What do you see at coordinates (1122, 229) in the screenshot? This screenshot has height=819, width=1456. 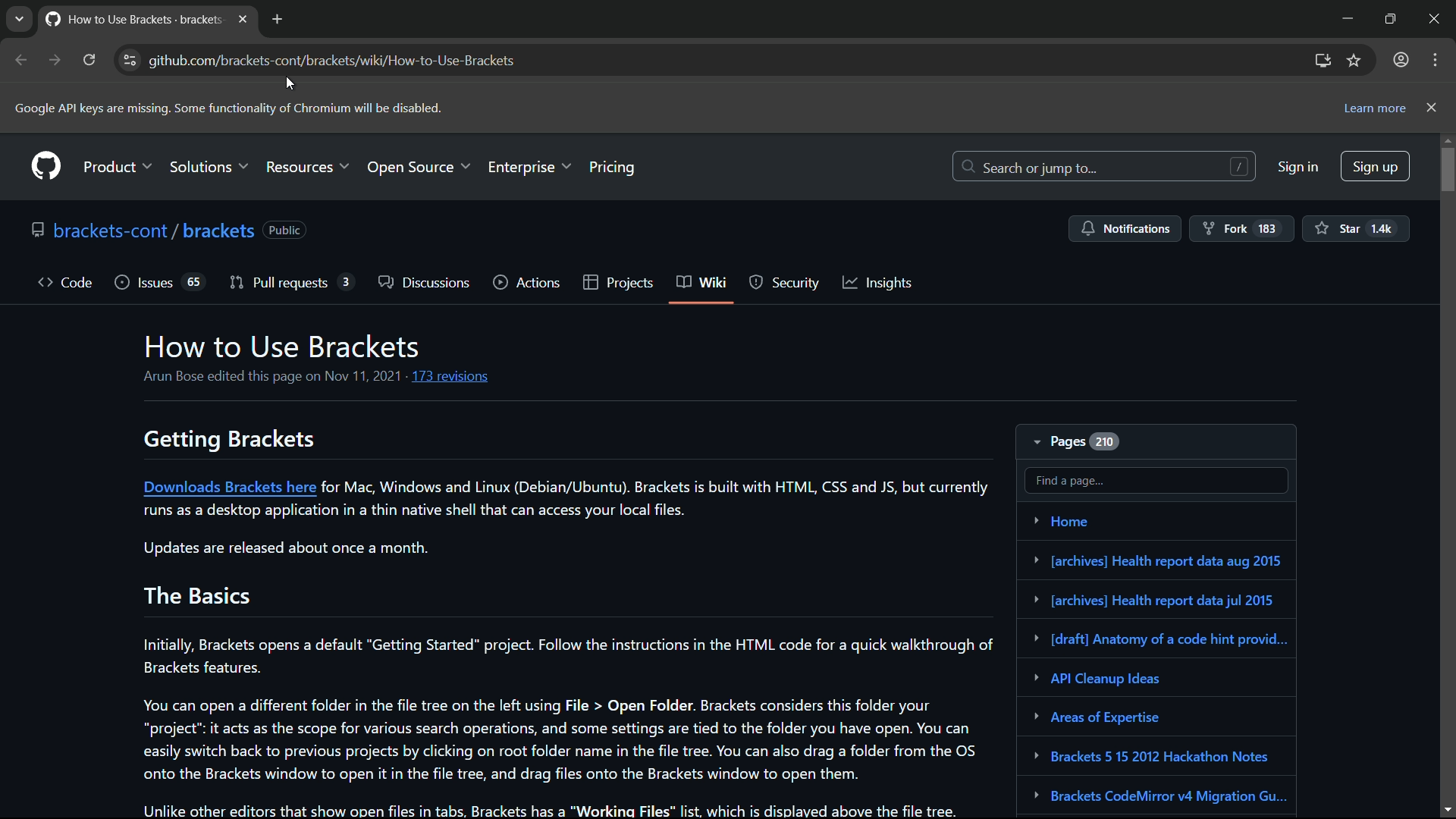 I see `notifications` at bounding box center [1122, 229].